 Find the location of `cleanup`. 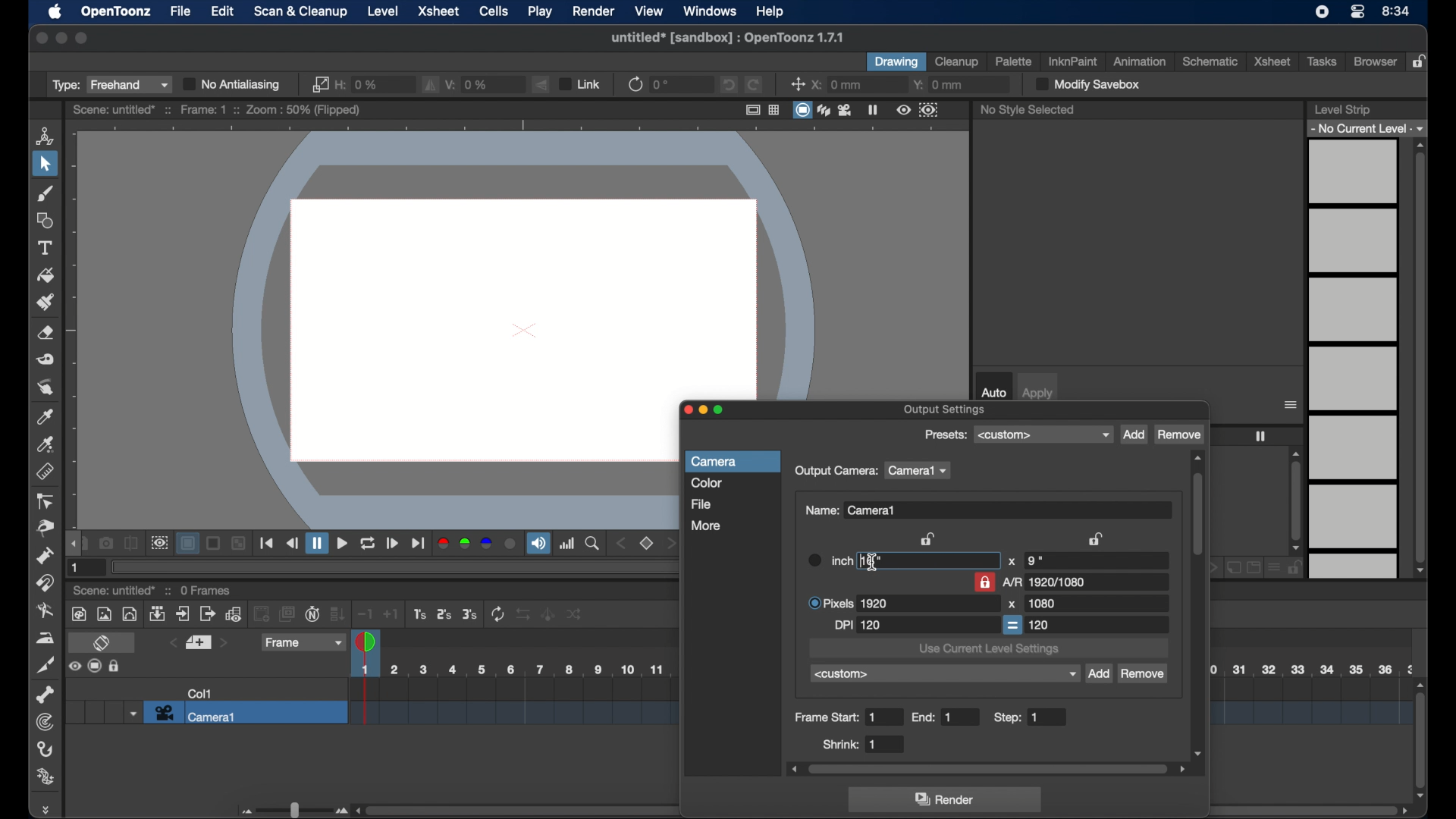

cleanup is located at coordinates (957, 61).